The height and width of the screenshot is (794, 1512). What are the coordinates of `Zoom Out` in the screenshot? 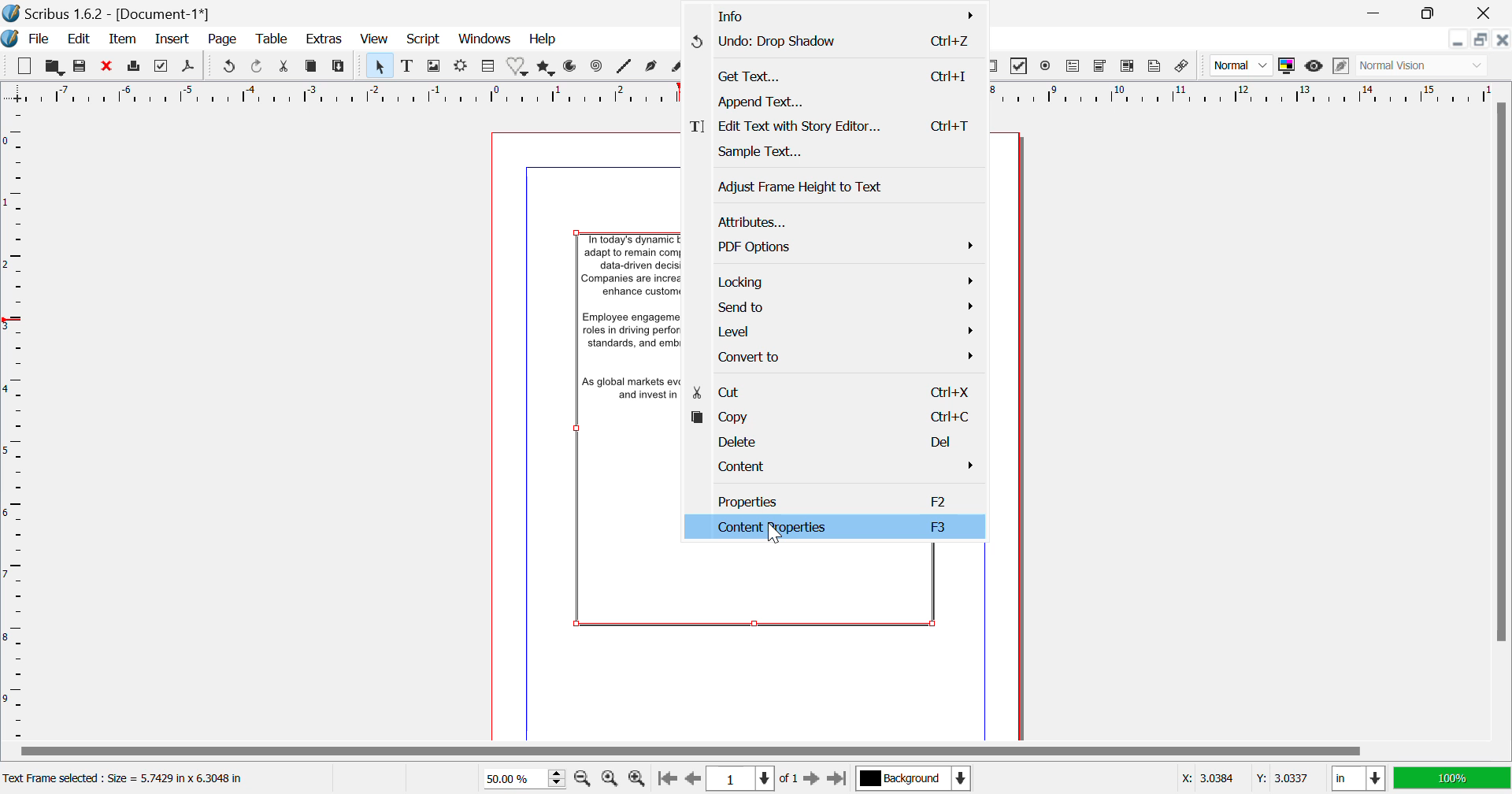 It's located at (583, 777).